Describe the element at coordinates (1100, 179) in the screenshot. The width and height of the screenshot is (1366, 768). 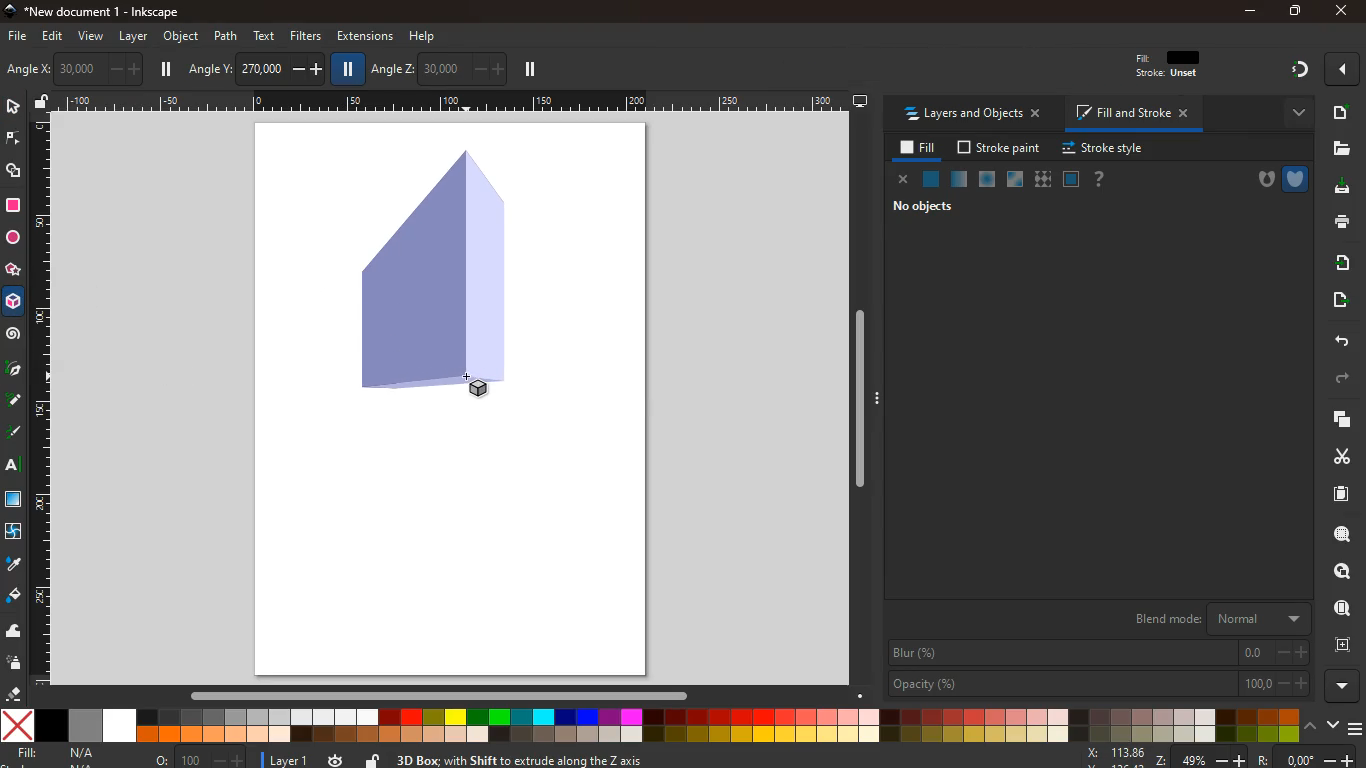
I see `help` at that location.